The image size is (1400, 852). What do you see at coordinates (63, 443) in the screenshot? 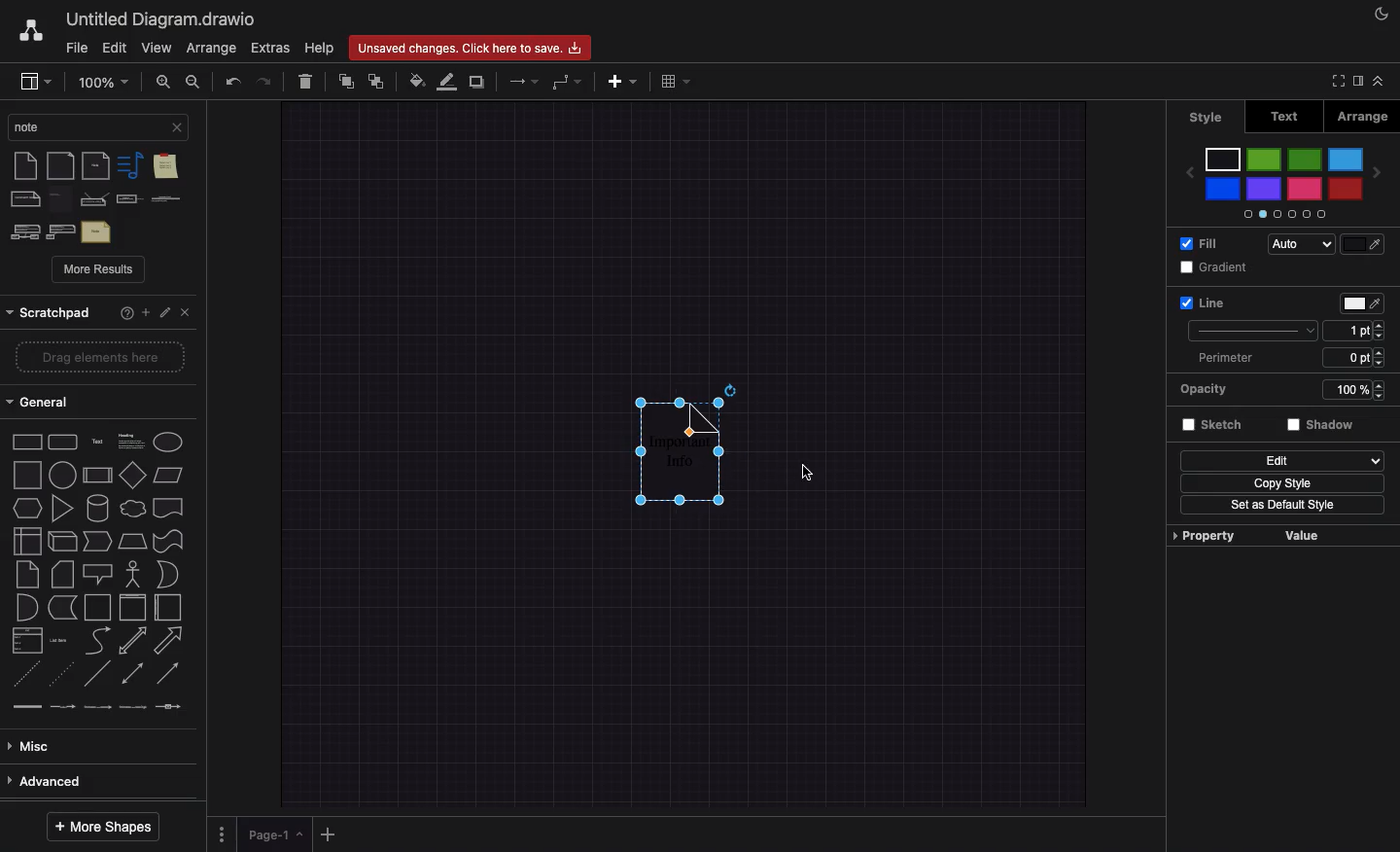
I see `rounded rectangle` at bounding box center [63, 443].